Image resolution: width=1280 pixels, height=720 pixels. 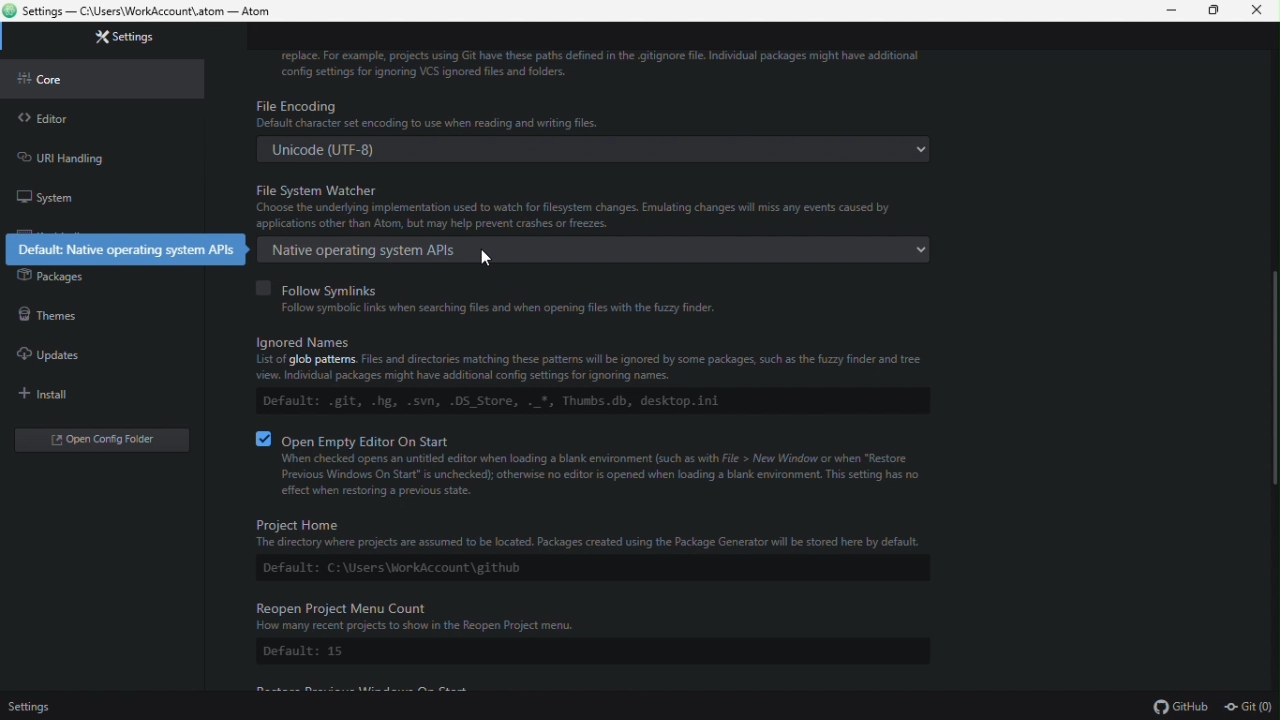 What do you see at coordinates (50, 275) in the screenshot?
I see `Packages` at bounding box center [50, 275].